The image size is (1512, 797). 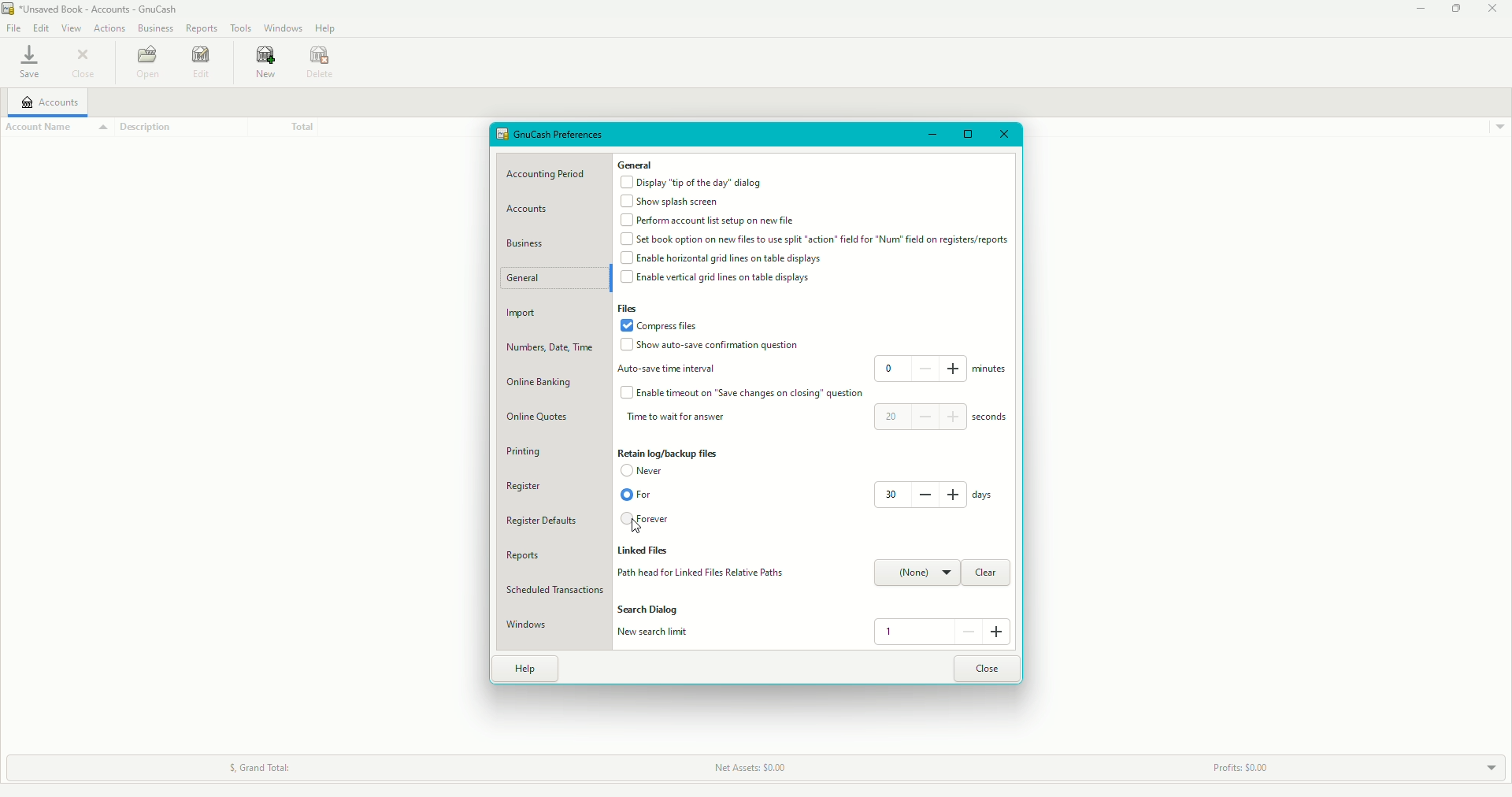 I want to click on Help, so click(x=328, y=28).